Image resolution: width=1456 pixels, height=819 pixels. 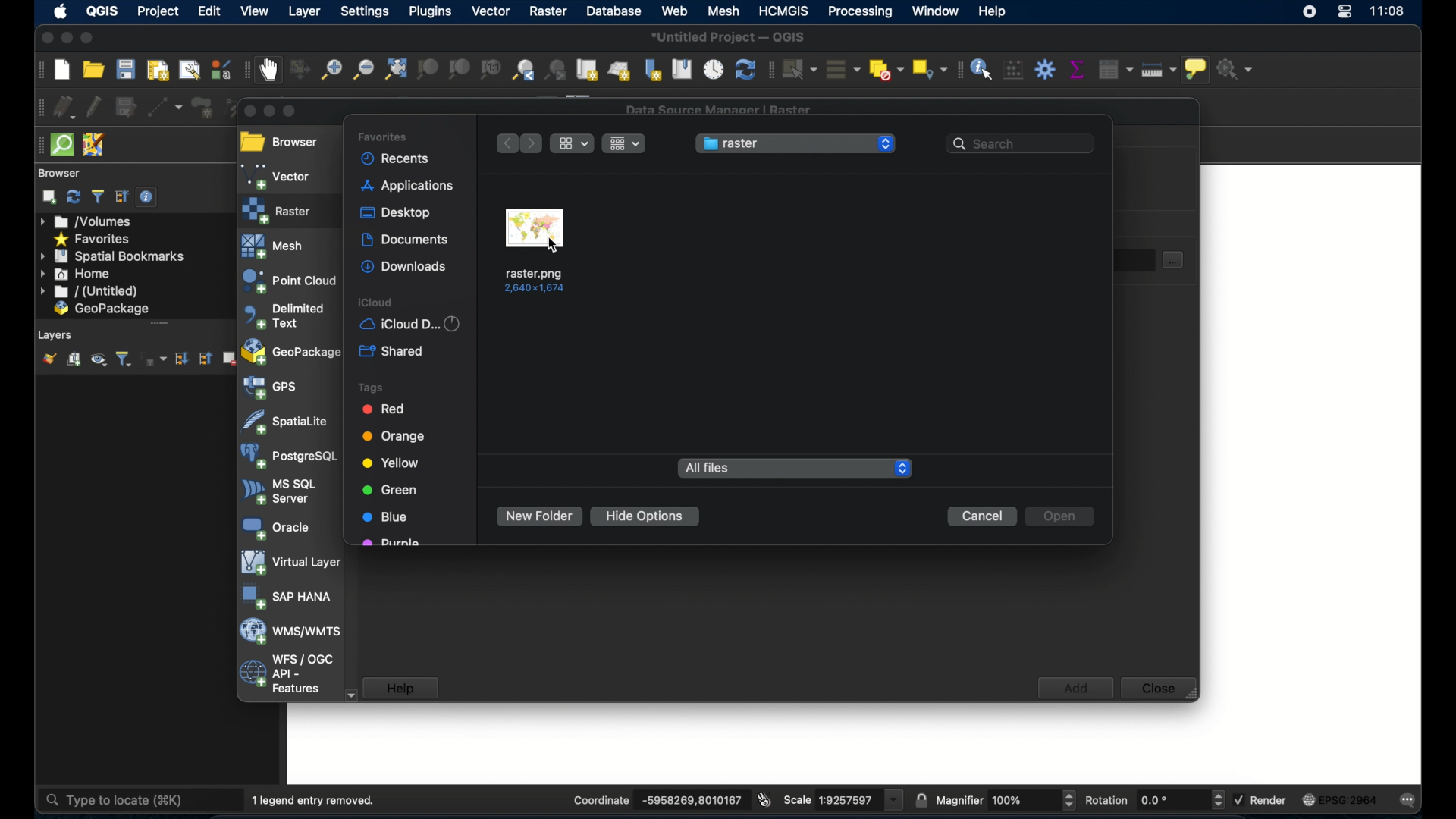 I want to click on minimize, so click(x=66, y=38).